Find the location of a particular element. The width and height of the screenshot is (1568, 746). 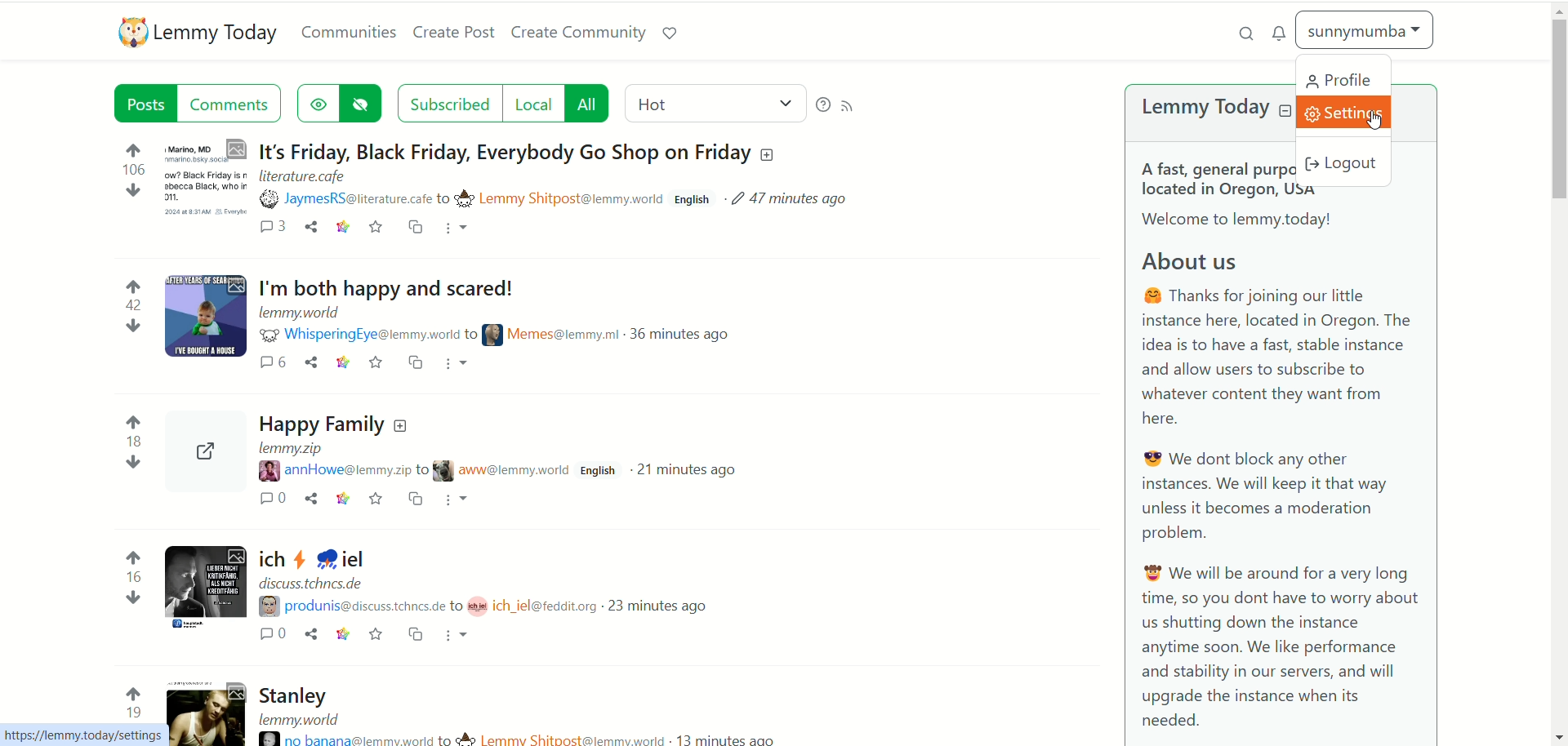

lemmy today is located at coordinates (218, 34).